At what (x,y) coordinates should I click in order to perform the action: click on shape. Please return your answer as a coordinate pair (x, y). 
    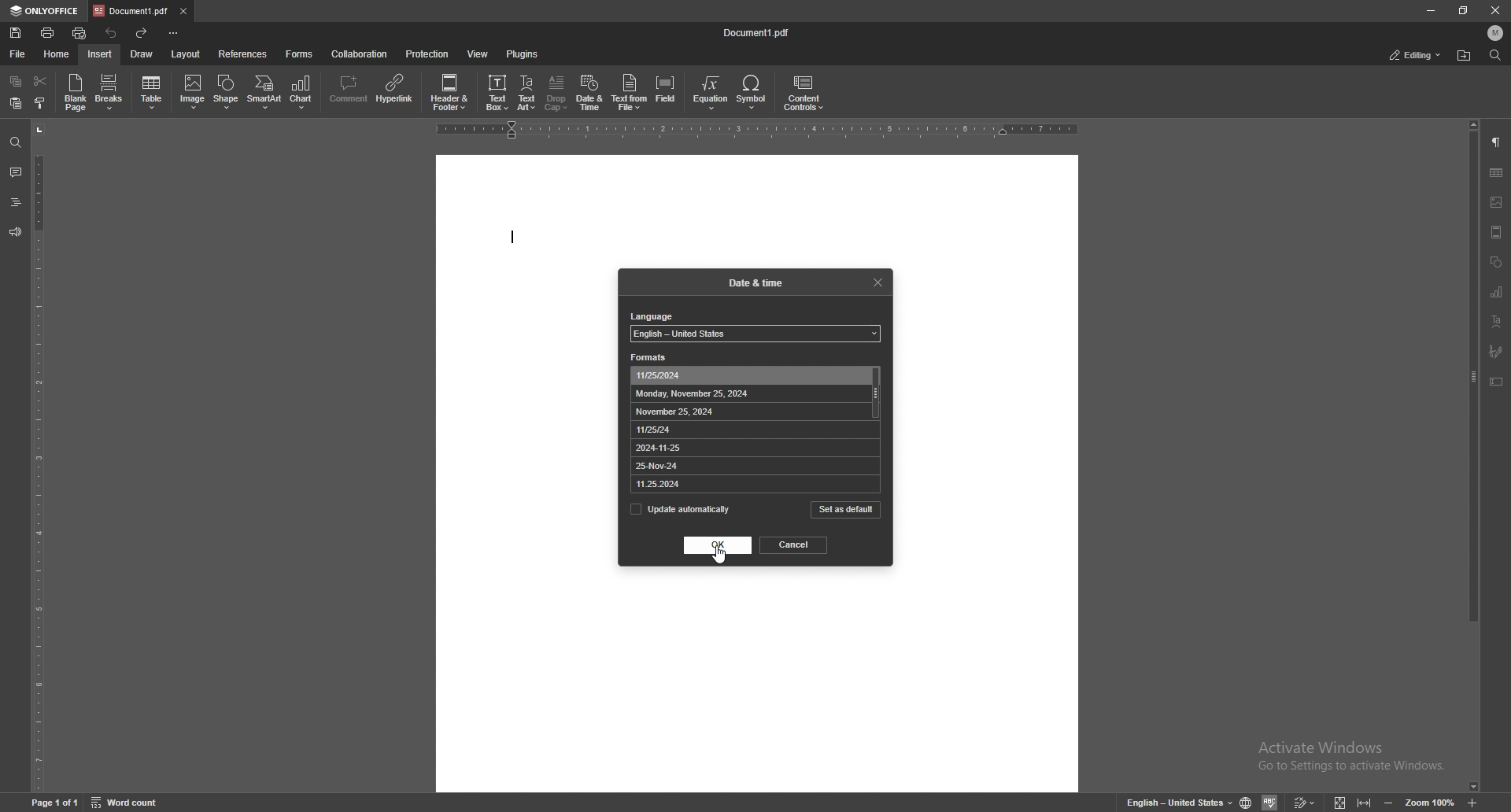
    Looking at the image, I should click on (227, 92).